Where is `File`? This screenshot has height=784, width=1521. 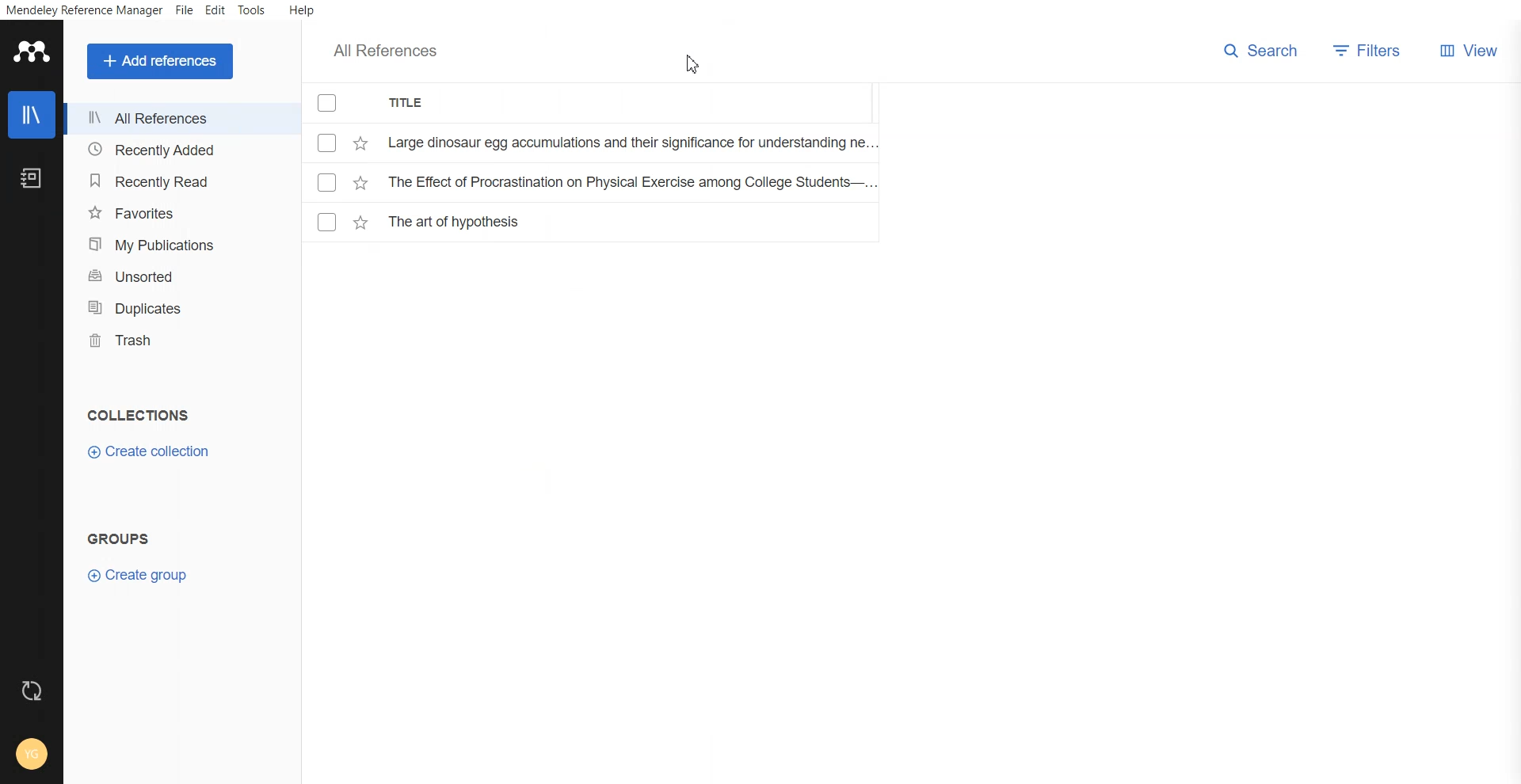 File is located at coordinates (594, 222).